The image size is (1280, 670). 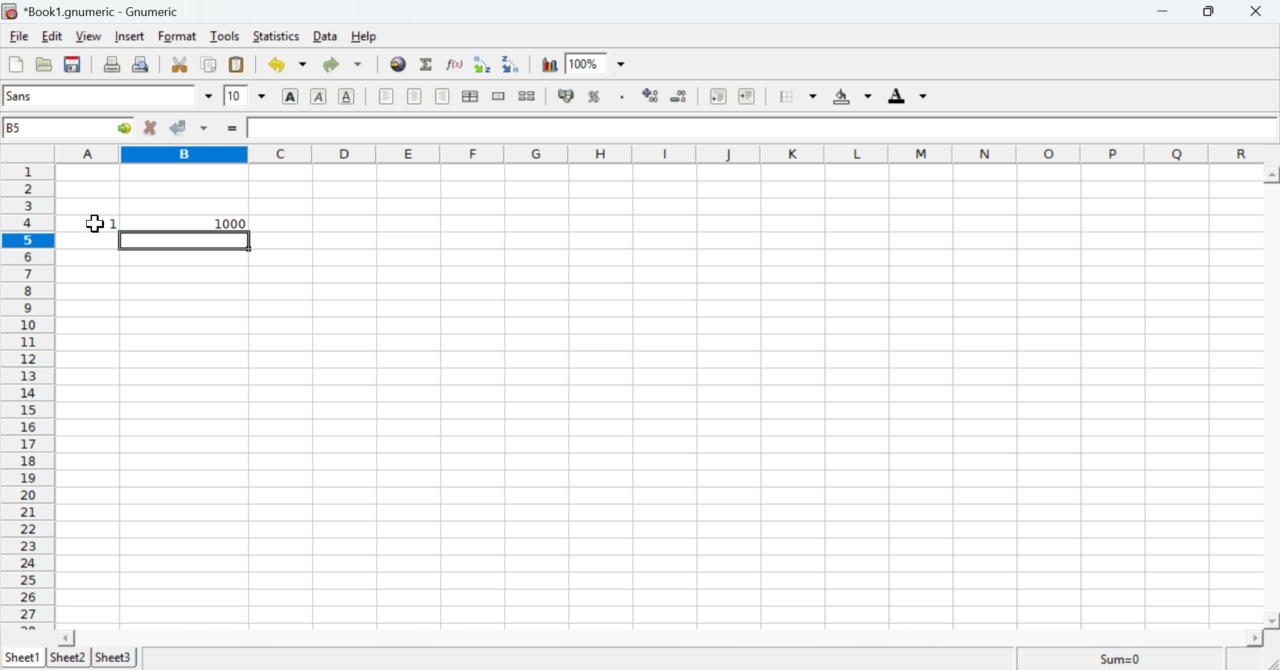 I want to click on Insert Hyperlink, so click(x=398, y=64).